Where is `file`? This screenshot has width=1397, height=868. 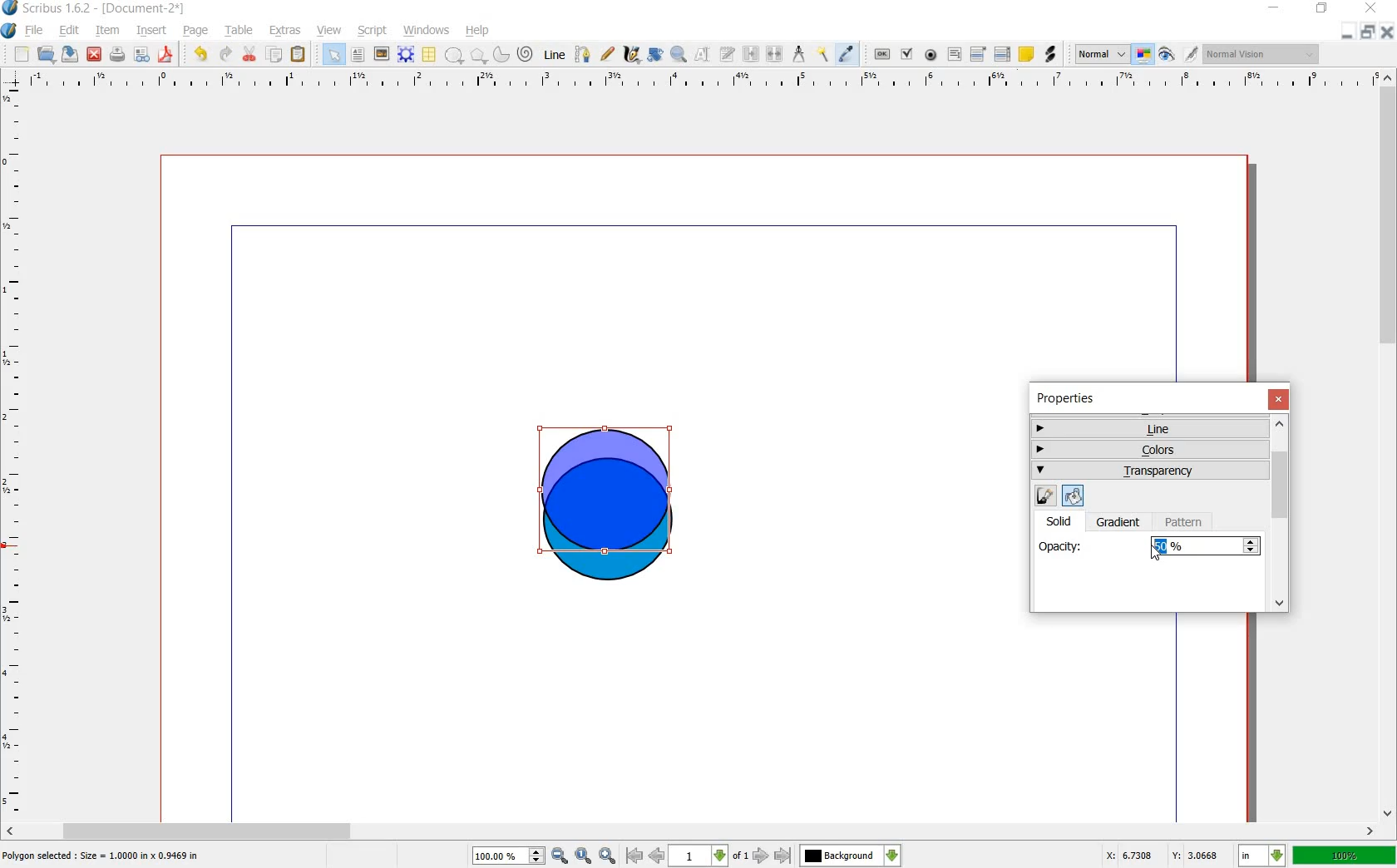 file is located at coordinates (35, 31).